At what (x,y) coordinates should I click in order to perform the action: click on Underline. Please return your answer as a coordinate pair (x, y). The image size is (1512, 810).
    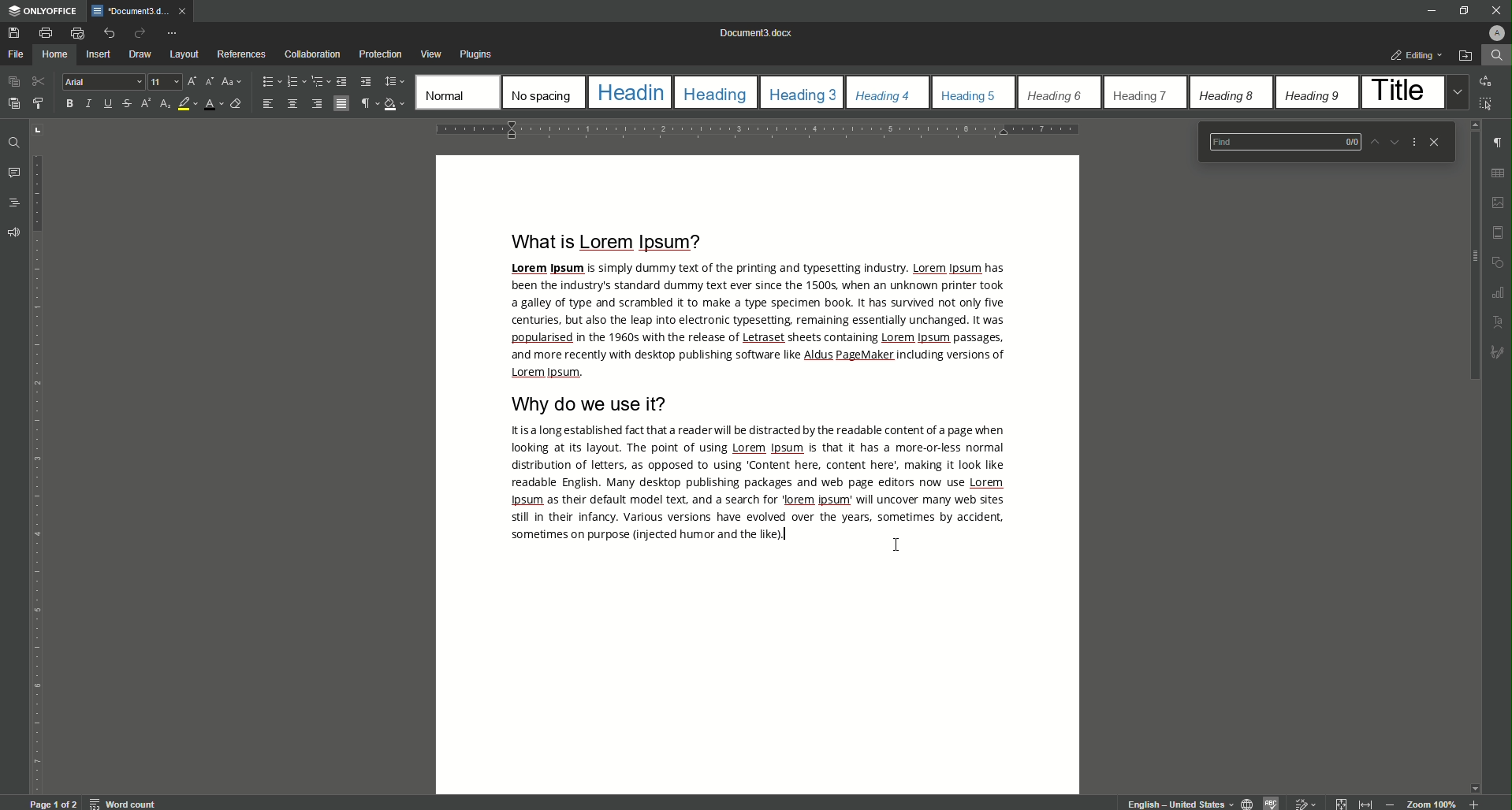
    Looking at the image, I should click on (109, 103).